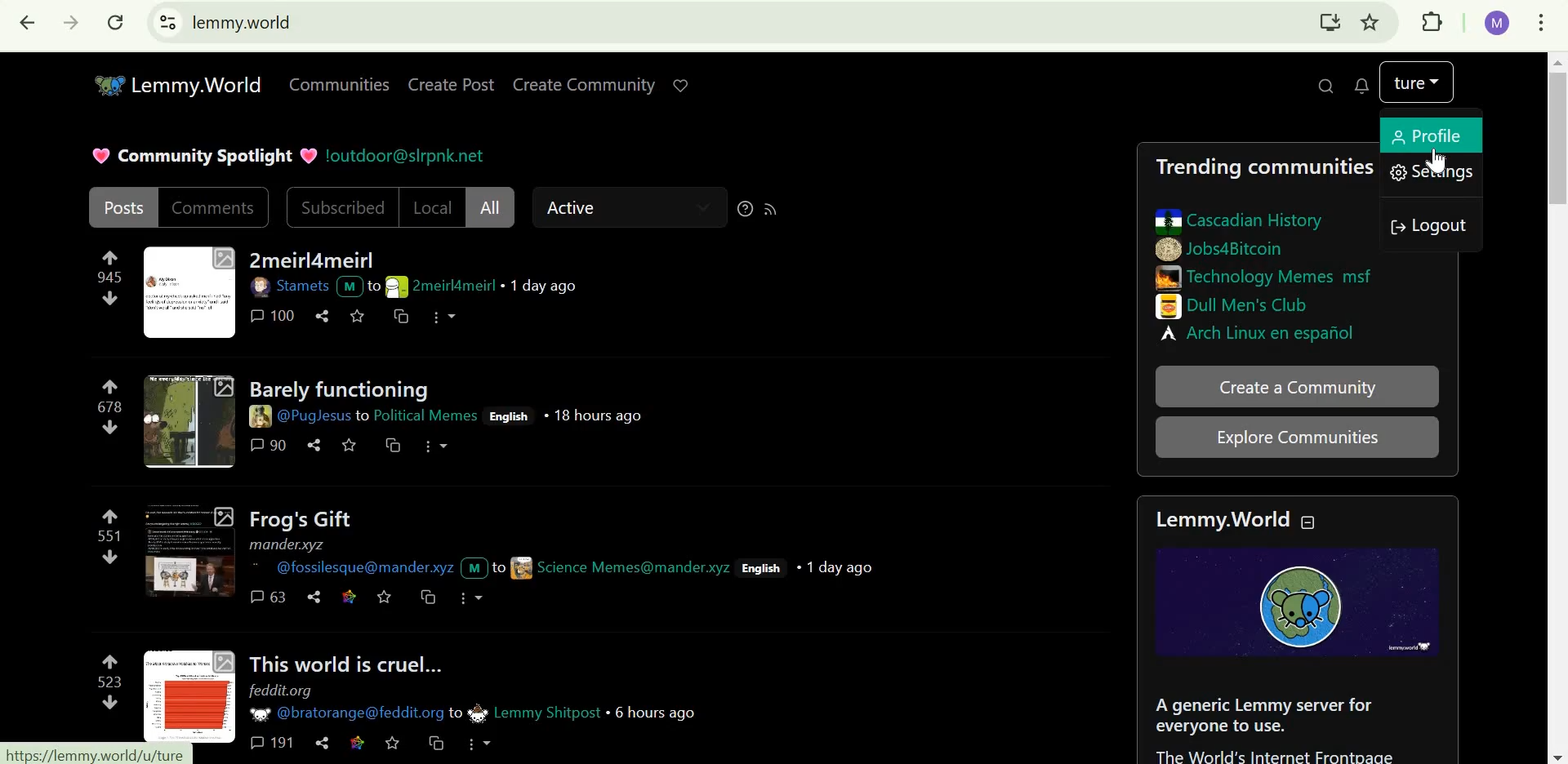  What do you see at coordinates (454, 84) in the screenshot?
I see `create post` at bounding box center [454, 84].